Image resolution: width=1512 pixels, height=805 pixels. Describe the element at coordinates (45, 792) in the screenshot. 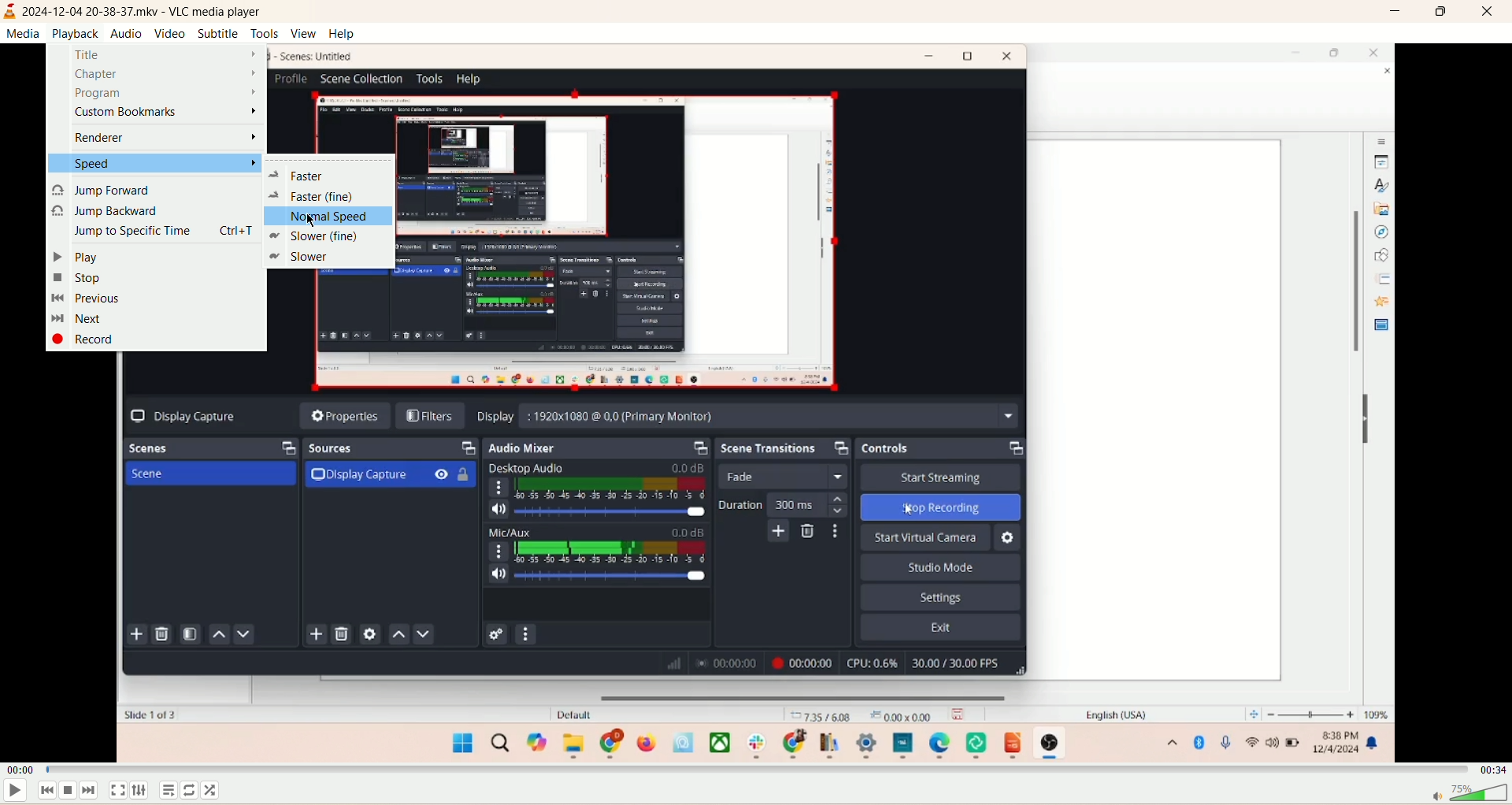

I see `previous` at that location.